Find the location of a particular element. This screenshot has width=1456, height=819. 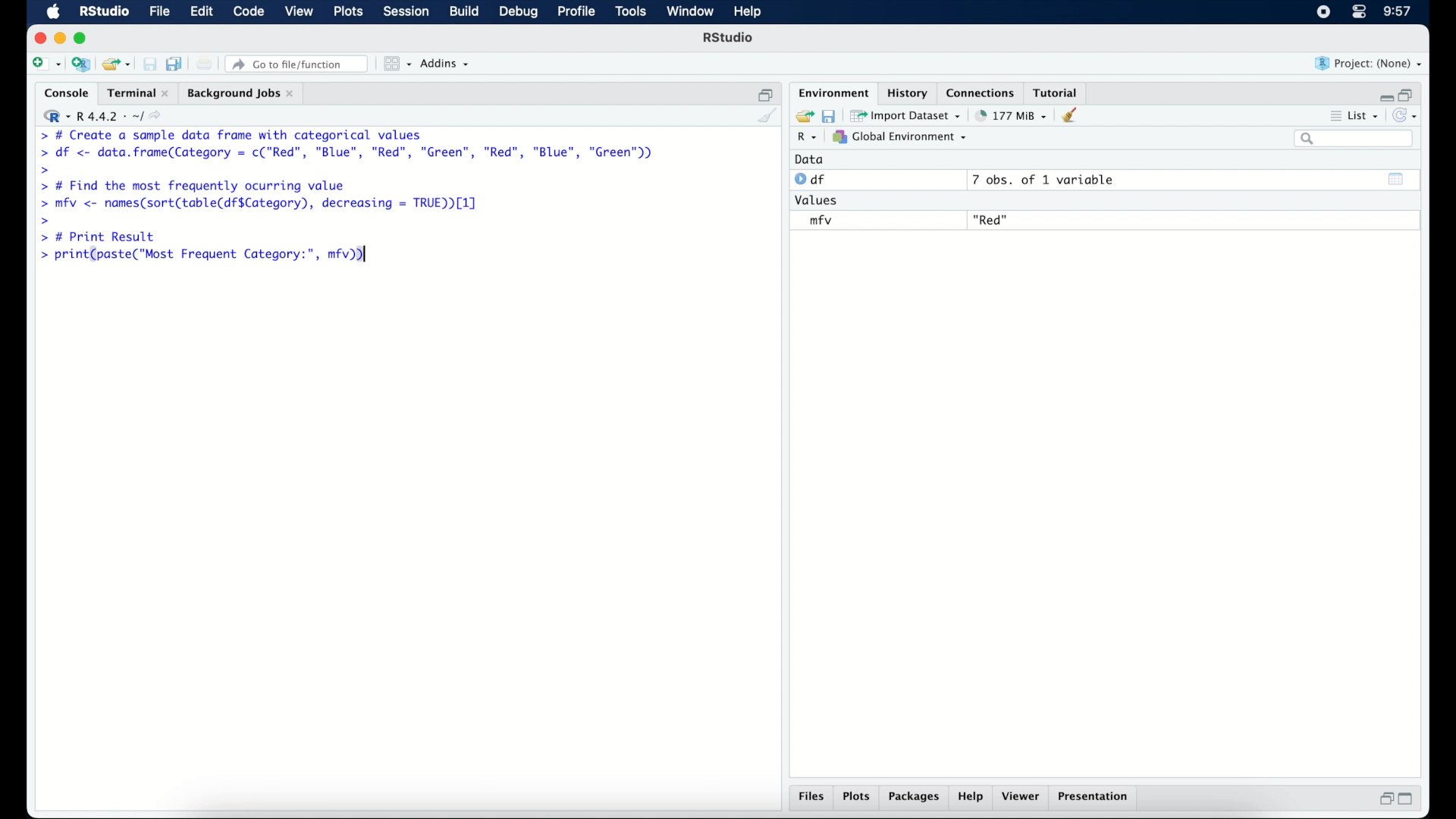

Go to file/ function is located at coordinates (300, 63).